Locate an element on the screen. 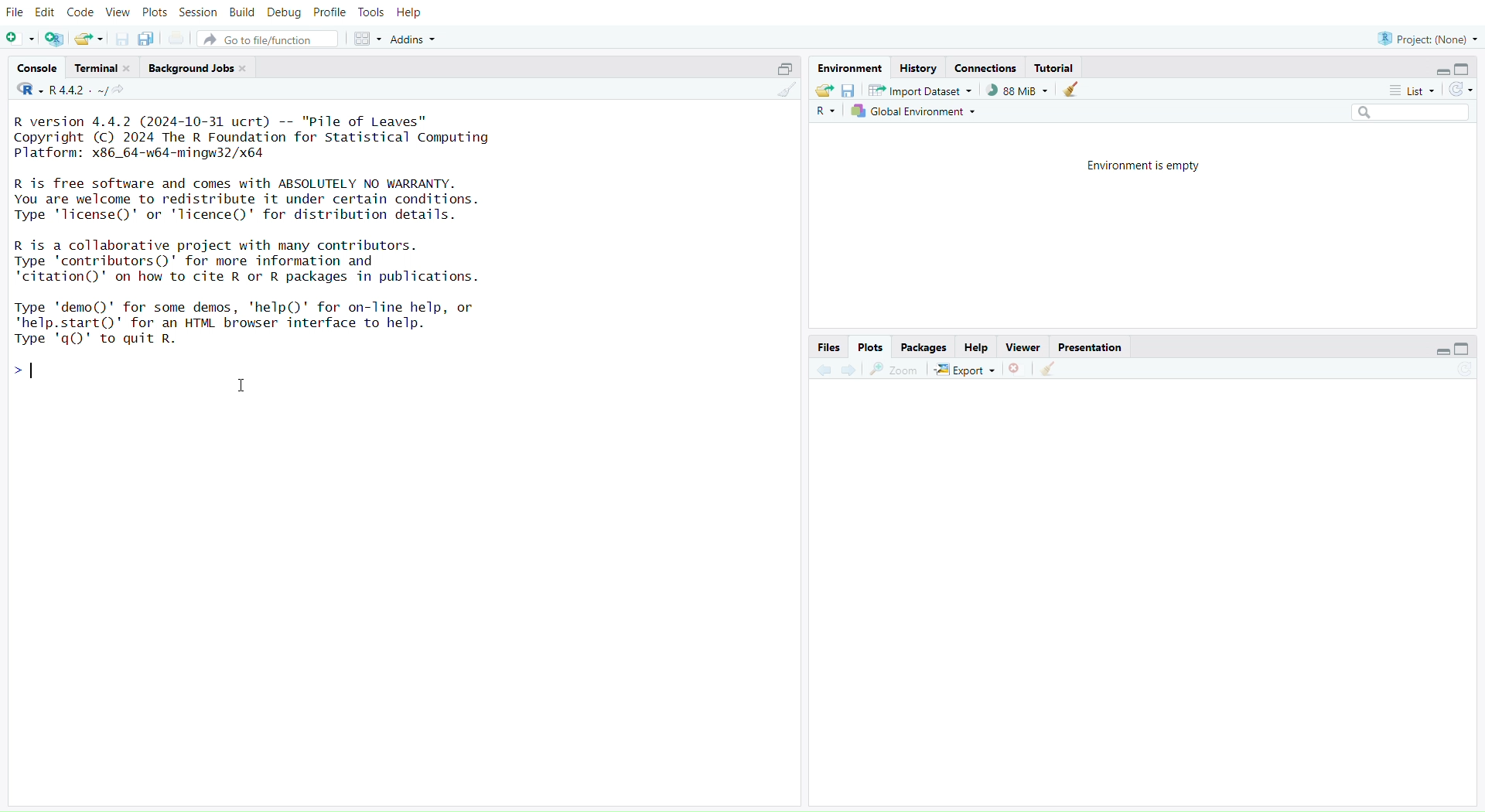 This screenshot has height=812, width=1485. create a project is located at coordinates (54, 39).